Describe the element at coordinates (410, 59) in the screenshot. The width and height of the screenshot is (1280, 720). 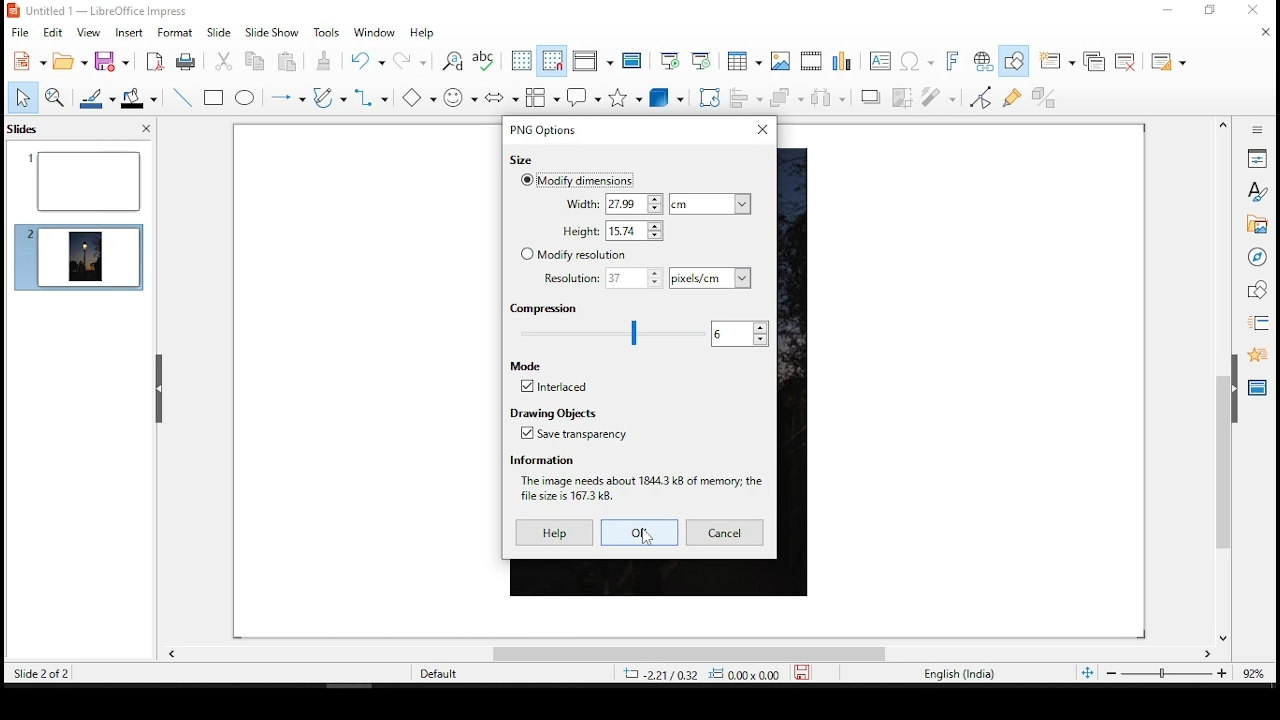
I see `redo` at that location.